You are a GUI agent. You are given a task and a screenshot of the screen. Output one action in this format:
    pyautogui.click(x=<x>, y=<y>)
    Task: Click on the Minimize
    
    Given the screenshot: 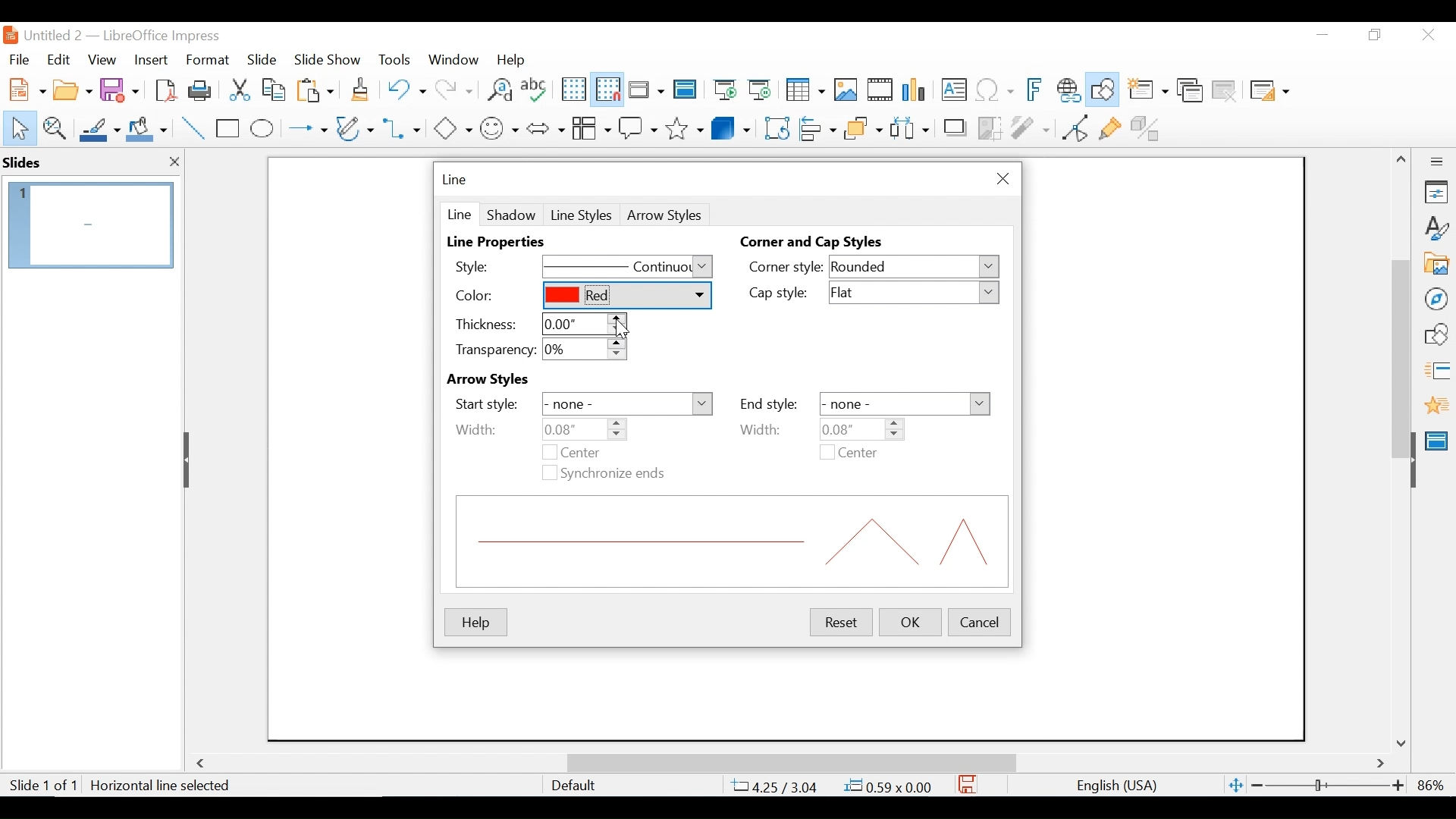 What is the action you would take?
    pyautogui.click(x=1321, y=35)
    